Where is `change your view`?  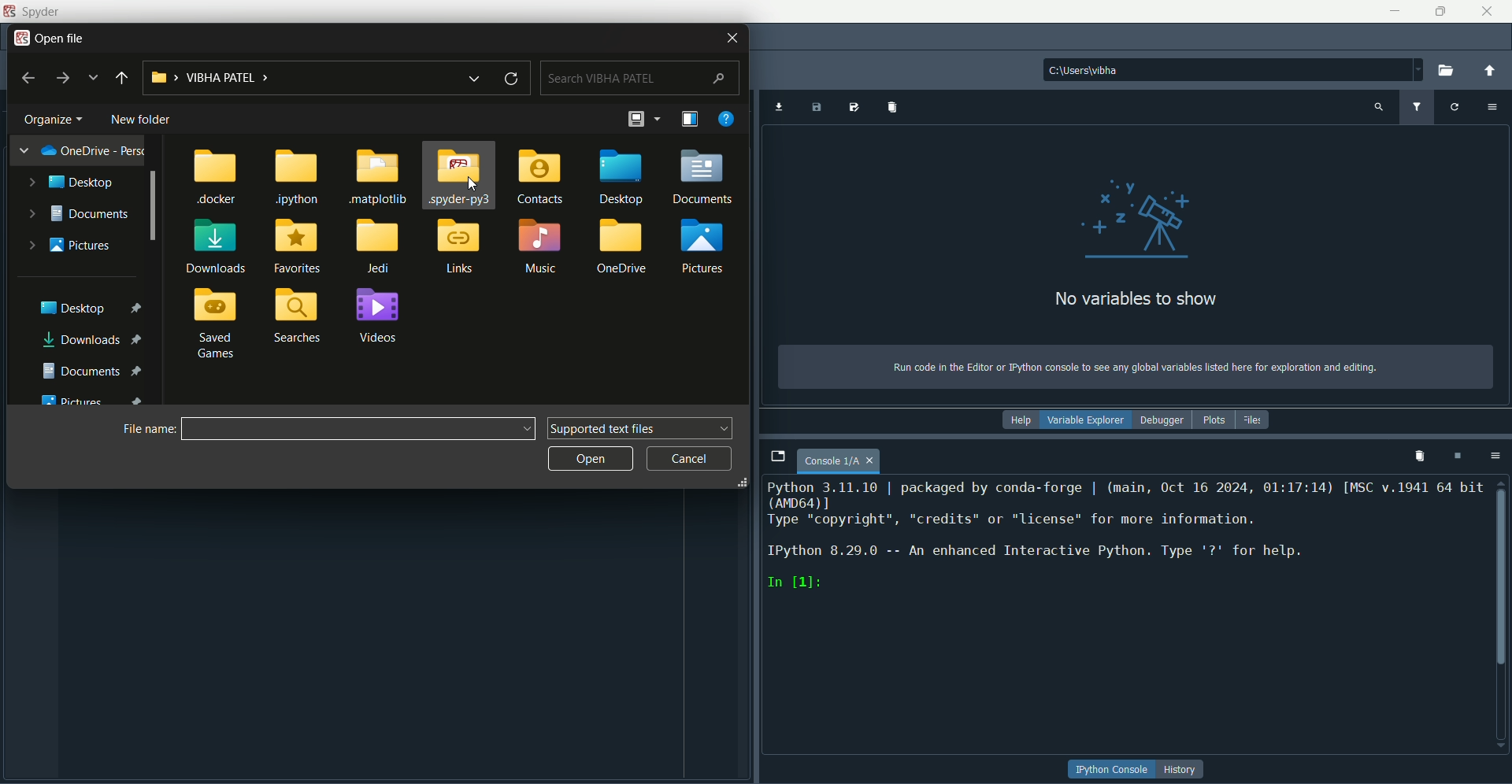
change your view is located at coordinates (691, 119).